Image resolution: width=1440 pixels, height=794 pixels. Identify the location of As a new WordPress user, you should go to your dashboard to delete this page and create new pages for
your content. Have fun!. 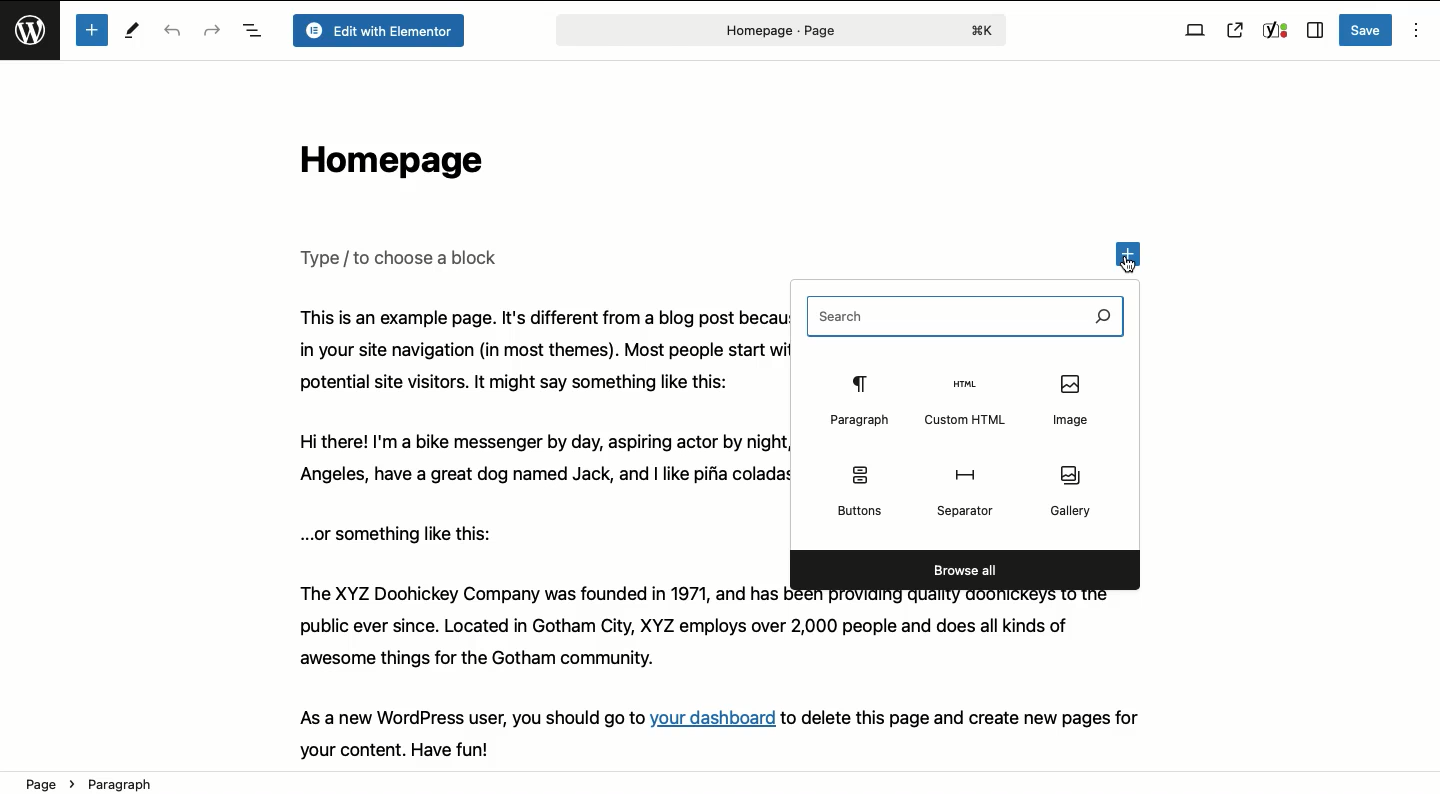
(742, 732).